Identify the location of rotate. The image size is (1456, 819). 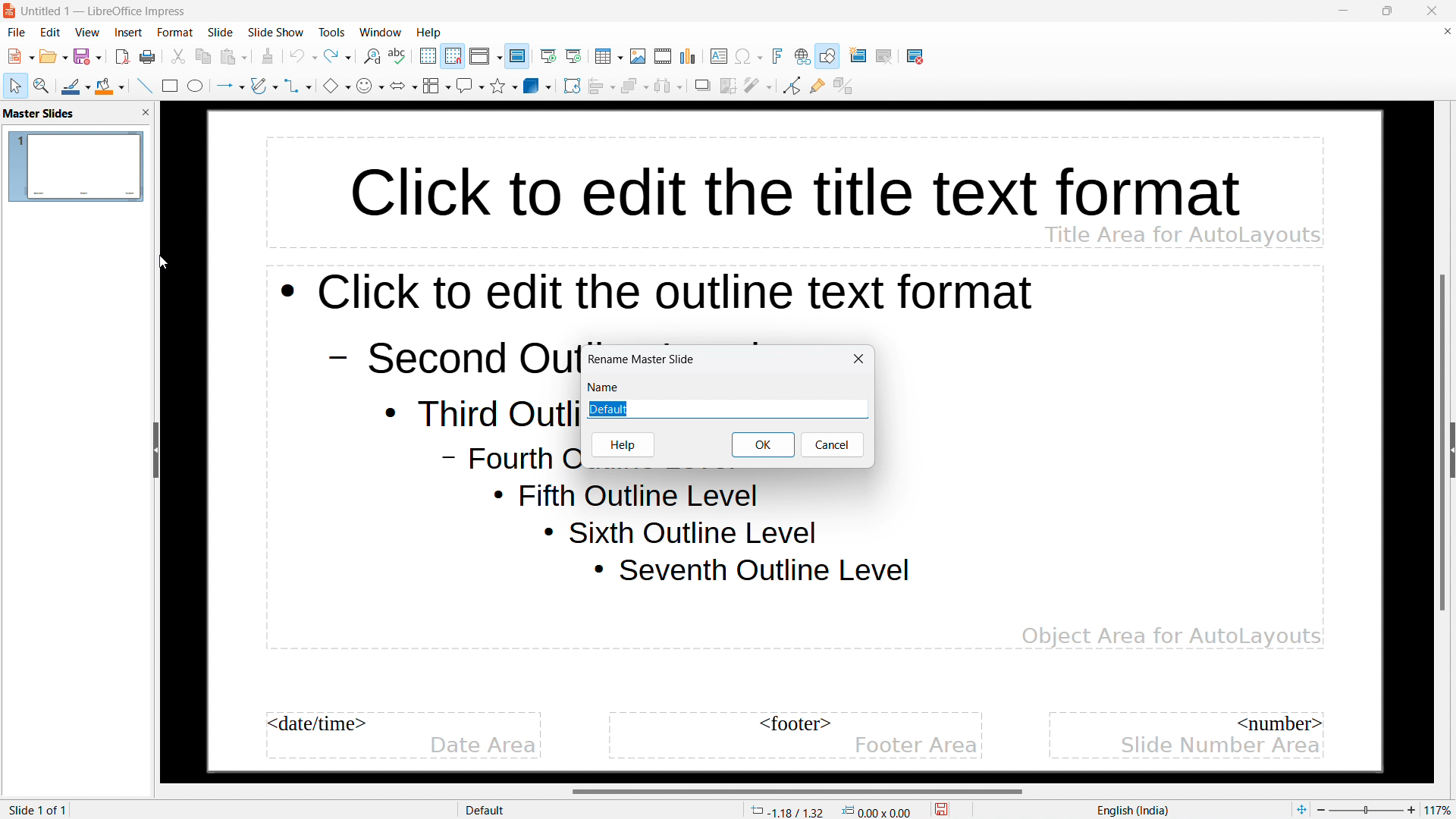
(572, 86).